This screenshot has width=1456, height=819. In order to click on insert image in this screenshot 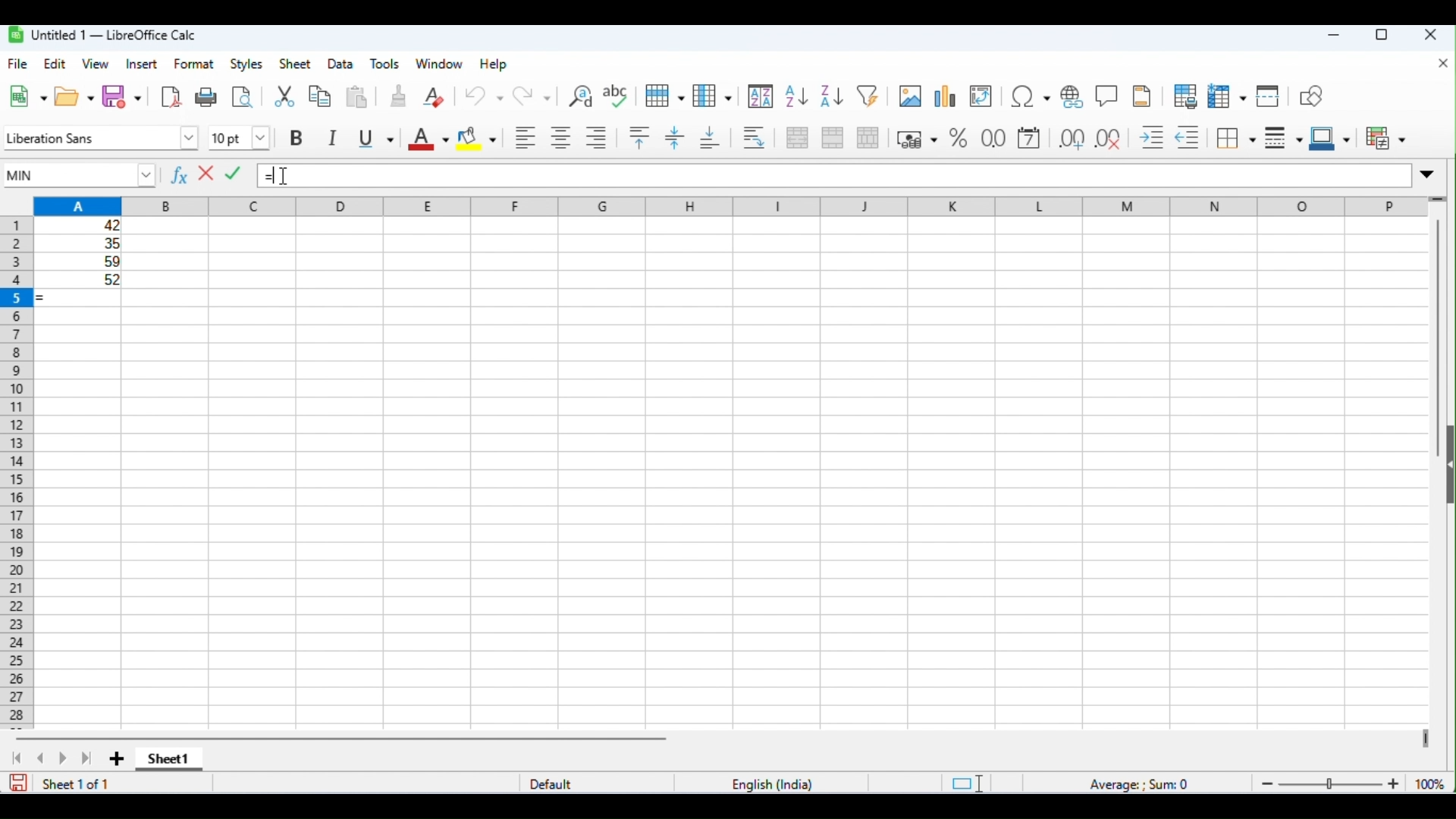, I will do `click(909, 96)`.